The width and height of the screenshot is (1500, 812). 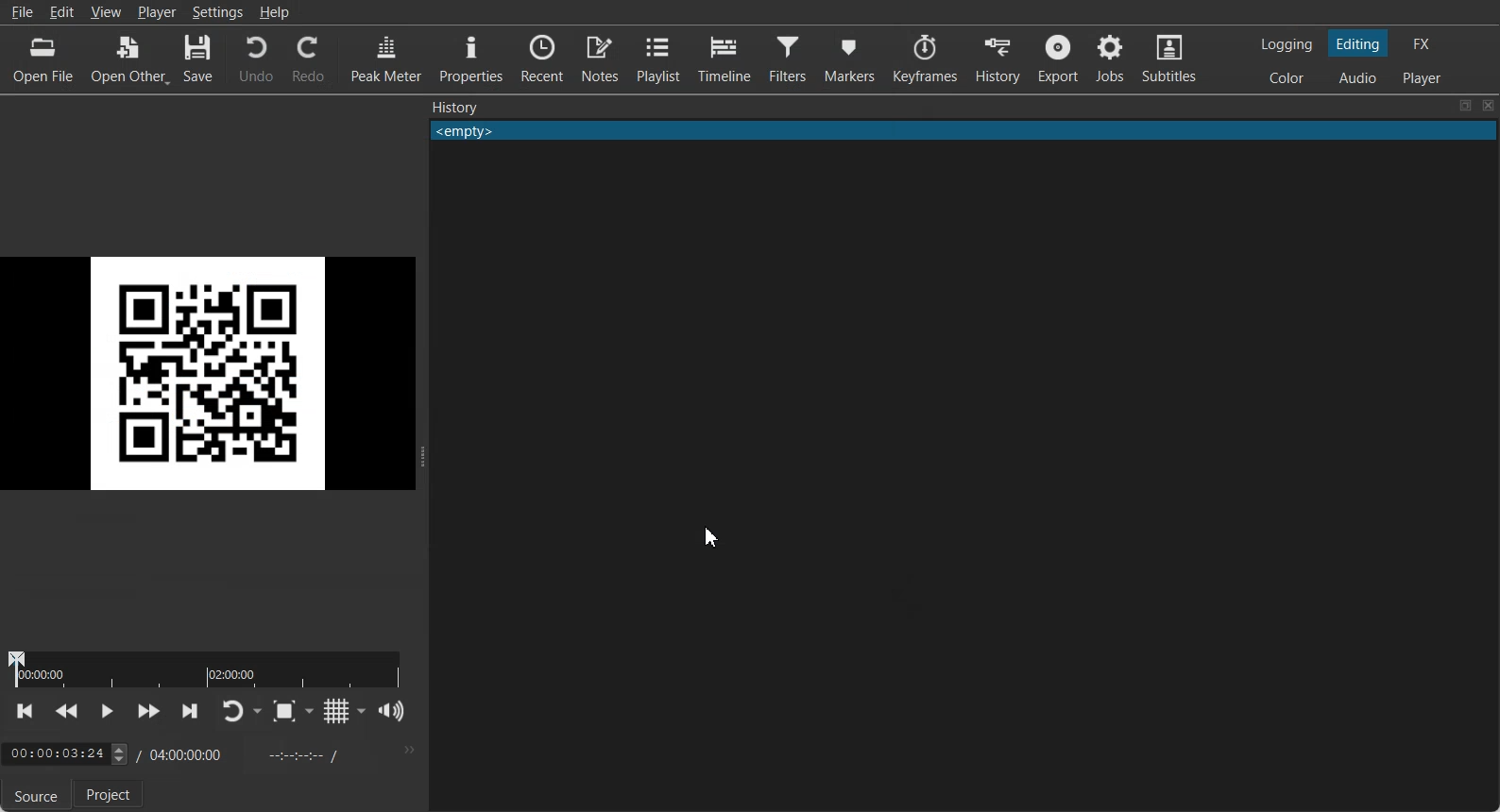 What do you see at coordinates (284, 711) in the screenshot?
I see `Toggle Zoom` at bounding box center [284, 711].